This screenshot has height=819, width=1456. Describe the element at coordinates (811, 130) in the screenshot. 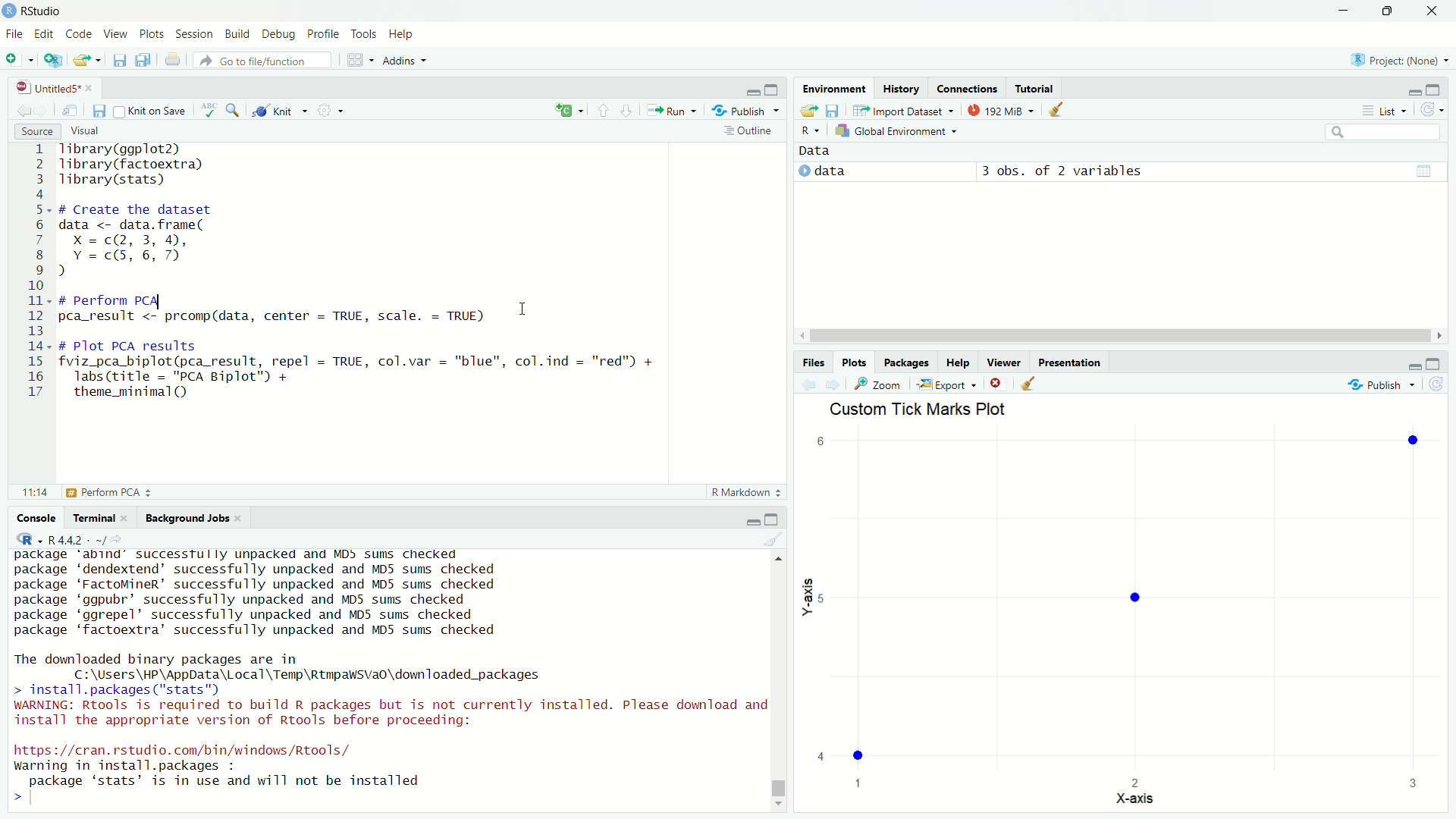

I see `R language` at that location.